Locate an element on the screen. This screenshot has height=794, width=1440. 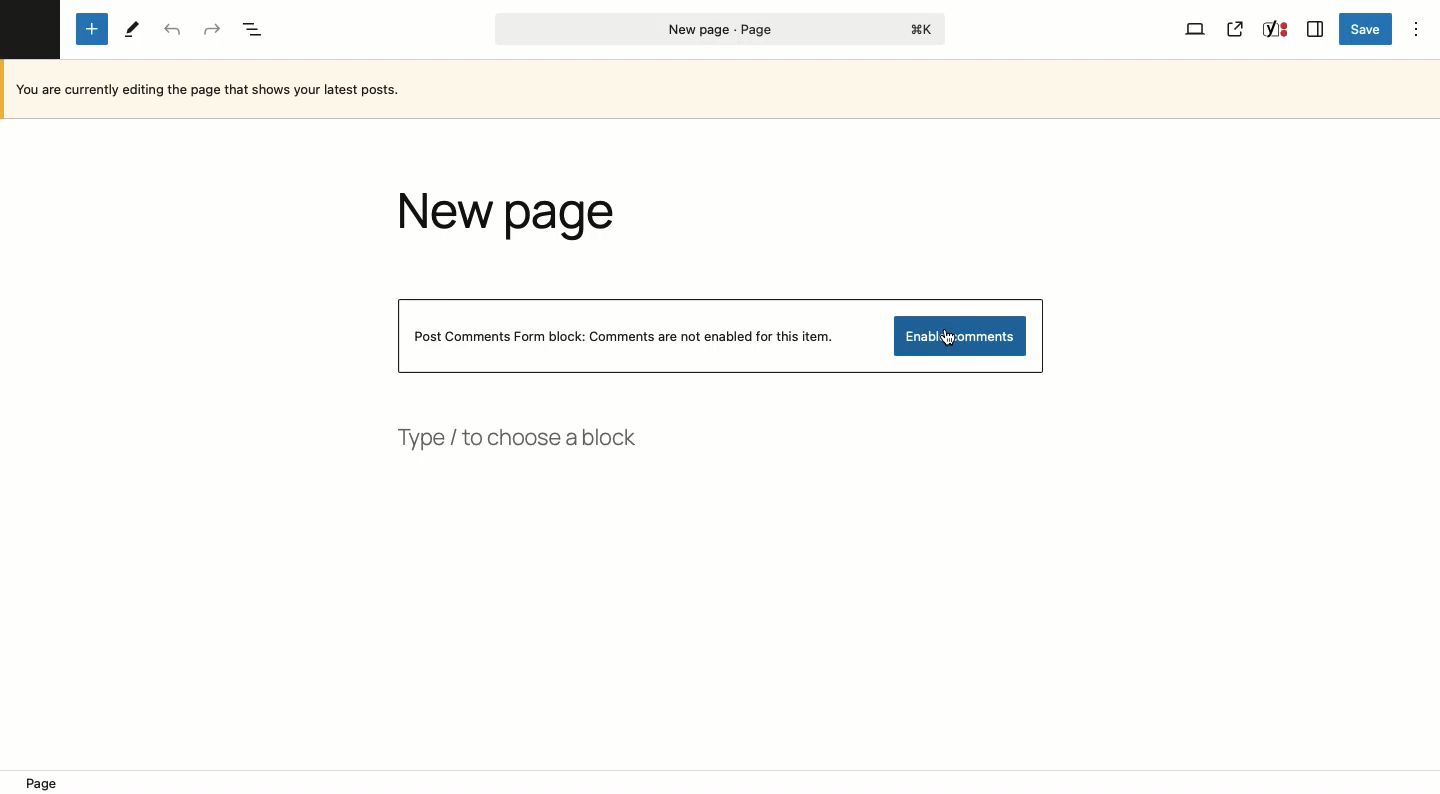
Enable comments is located at coordinates (961, 337).